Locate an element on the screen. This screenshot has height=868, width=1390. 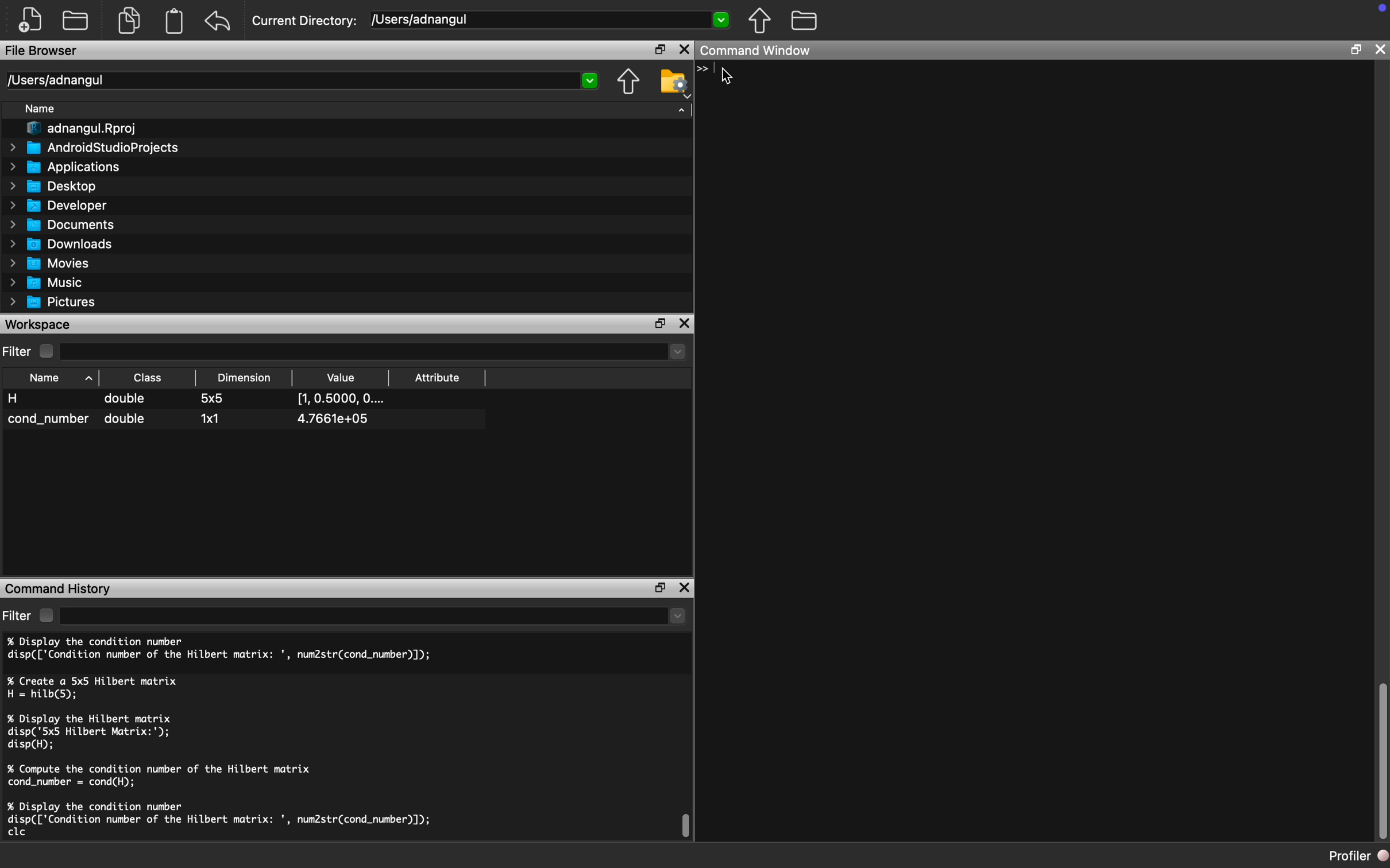
Music is located at coordinates (44, 282).